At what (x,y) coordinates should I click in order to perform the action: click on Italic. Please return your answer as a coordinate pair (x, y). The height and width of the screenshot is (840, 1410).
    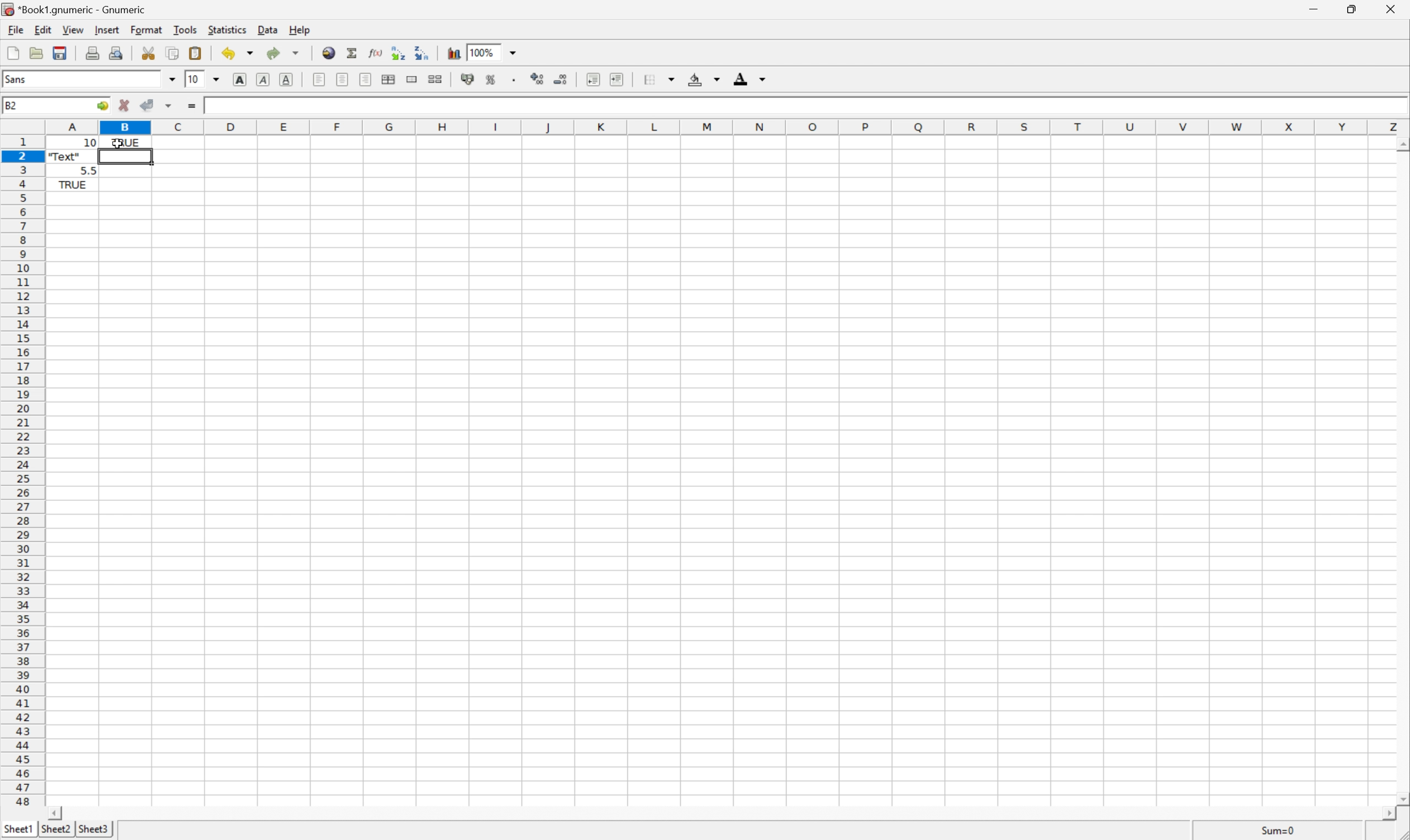
    Looking at the image, I should click on (262, 80).